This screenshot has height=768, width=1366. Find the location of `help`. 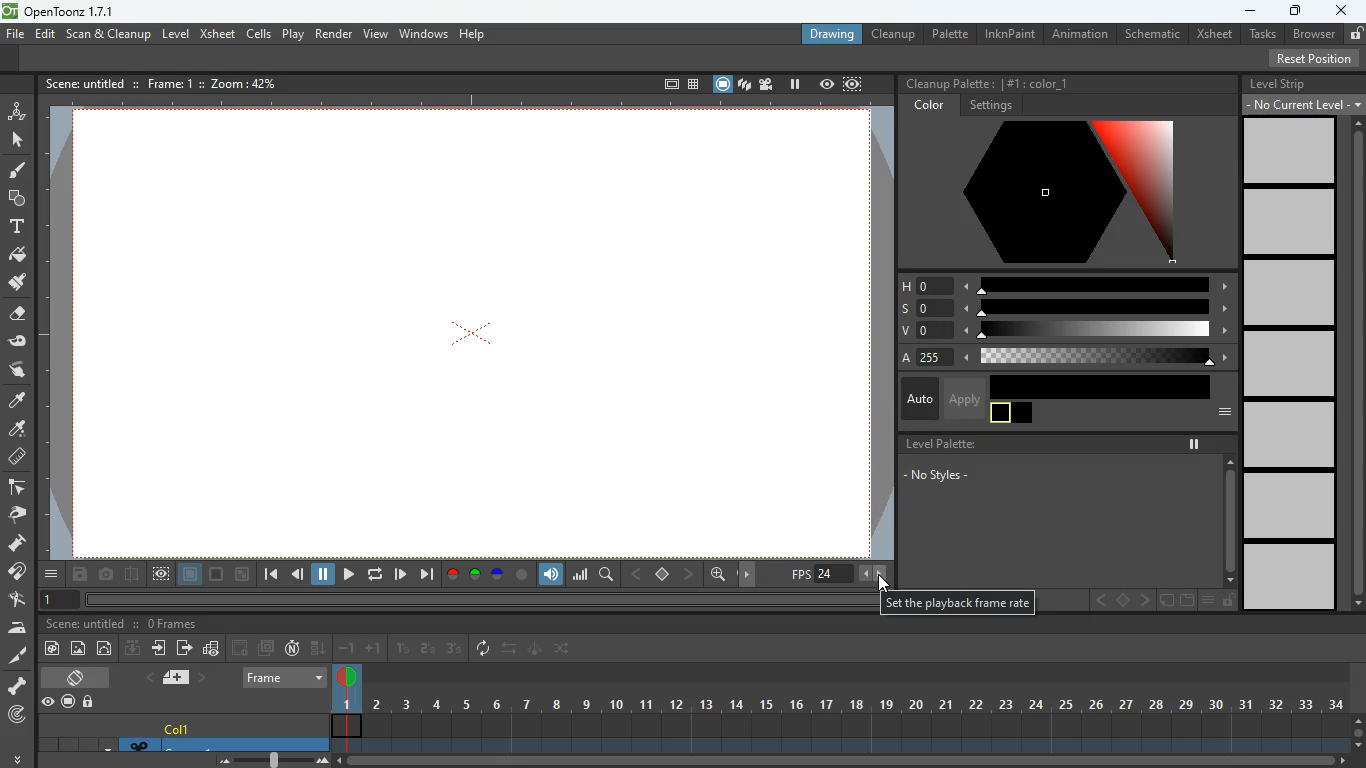

help is located at coordinates (476, 35).